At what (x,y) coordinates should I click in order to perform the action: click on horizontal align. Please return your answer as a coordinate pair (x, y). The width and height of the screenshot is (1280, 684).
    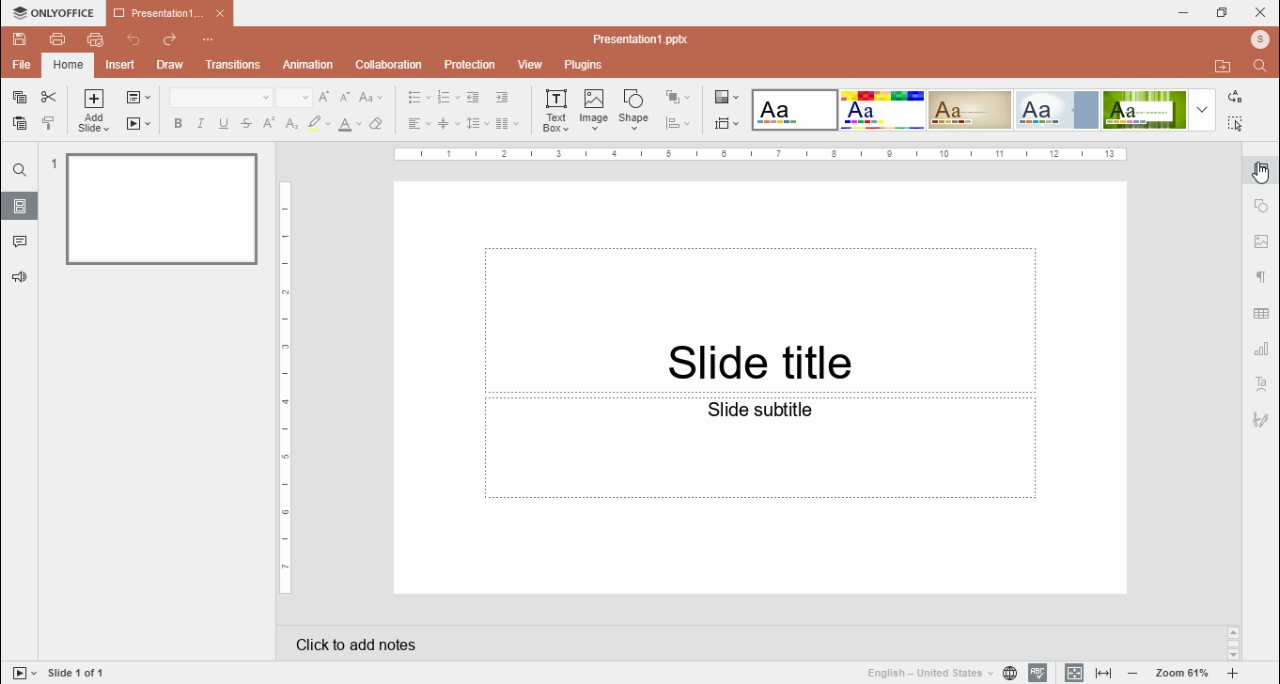
    Looking at the image, I should click on (418, 124).